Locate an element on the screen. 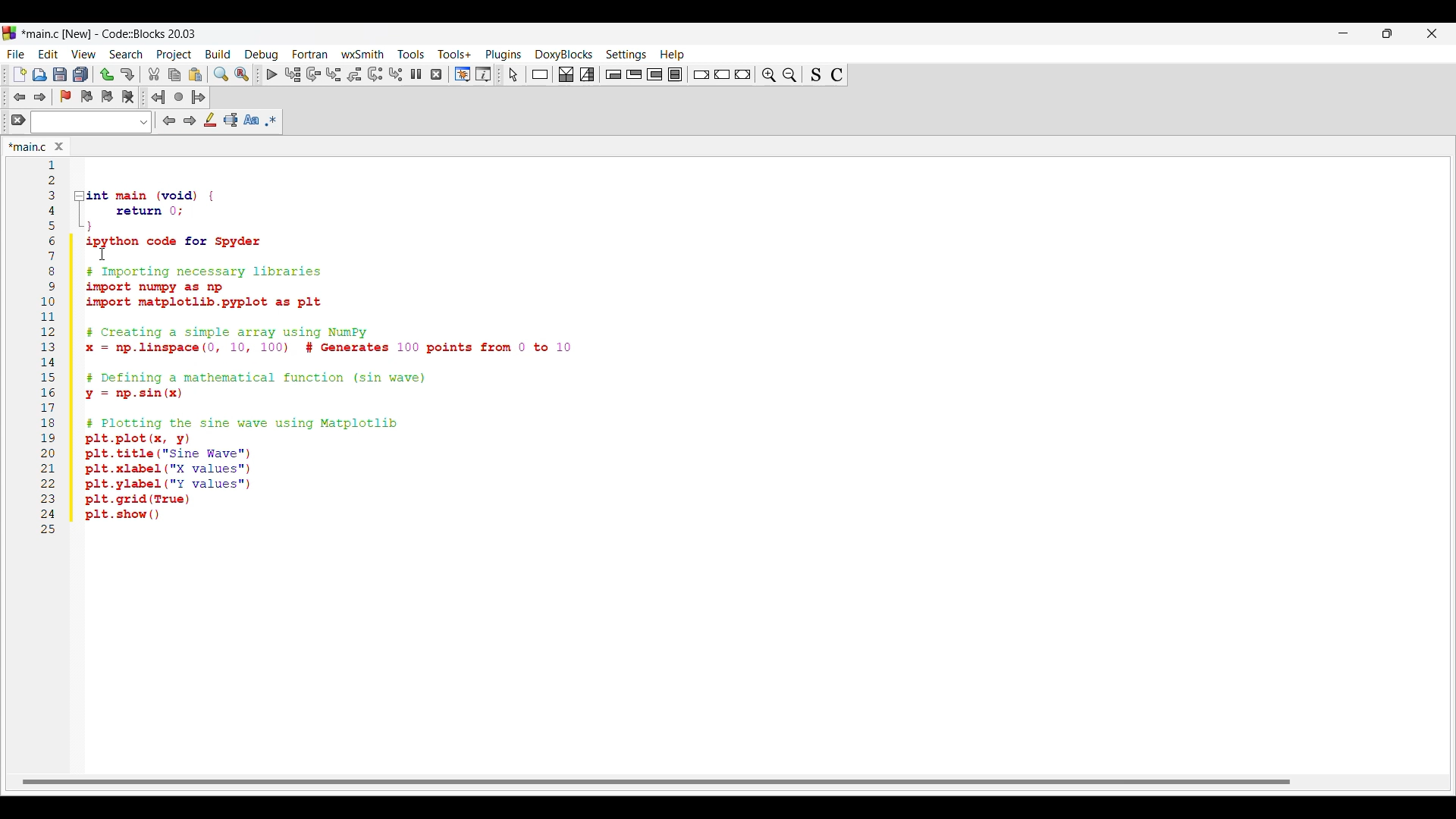 This screenshot has height=819, width=1456. Instruction is located at coordinates (540, 74).